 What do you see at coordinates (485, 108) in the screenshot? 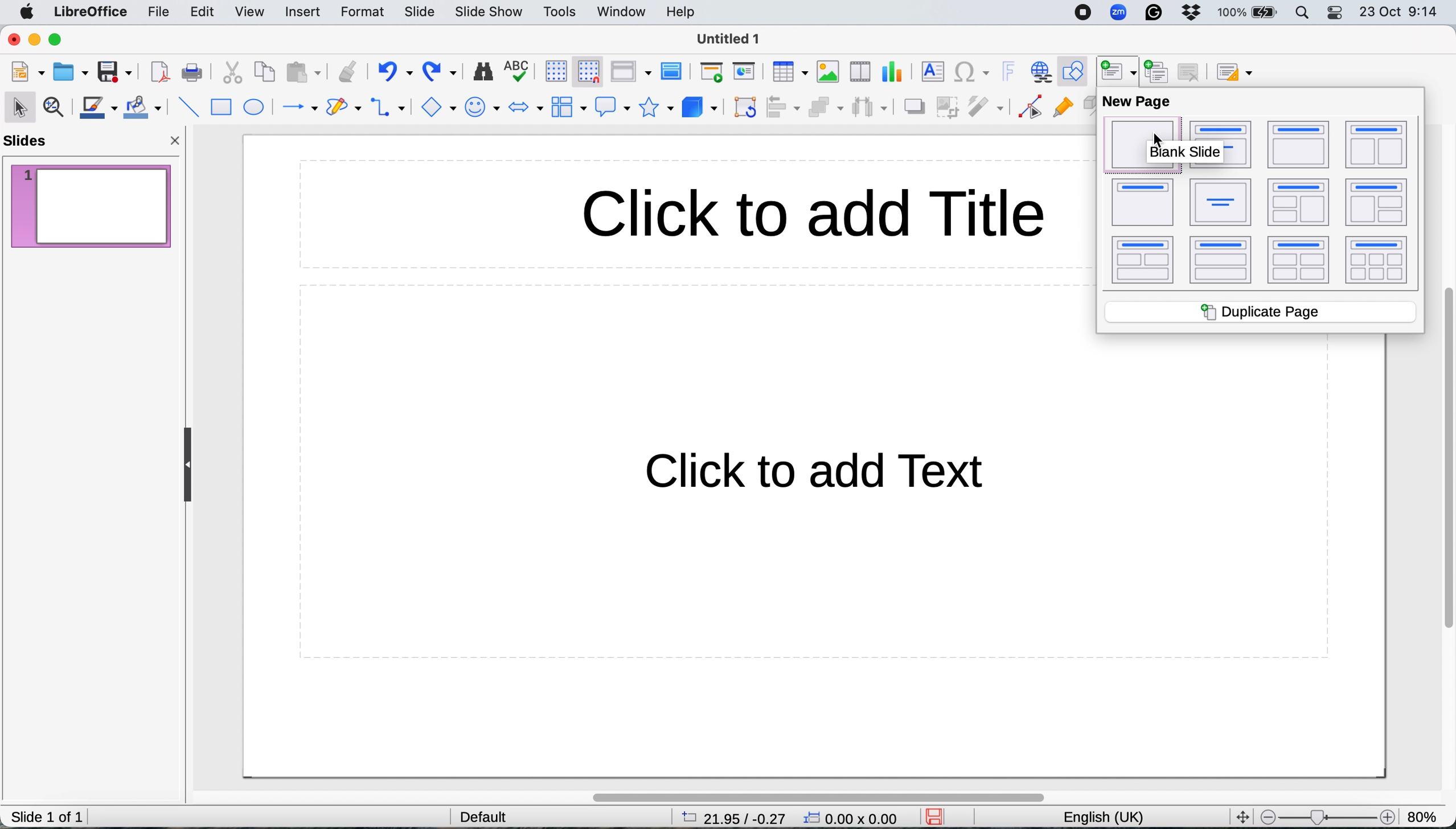
I see `symbol shapes` at bounding box center [485, 108].